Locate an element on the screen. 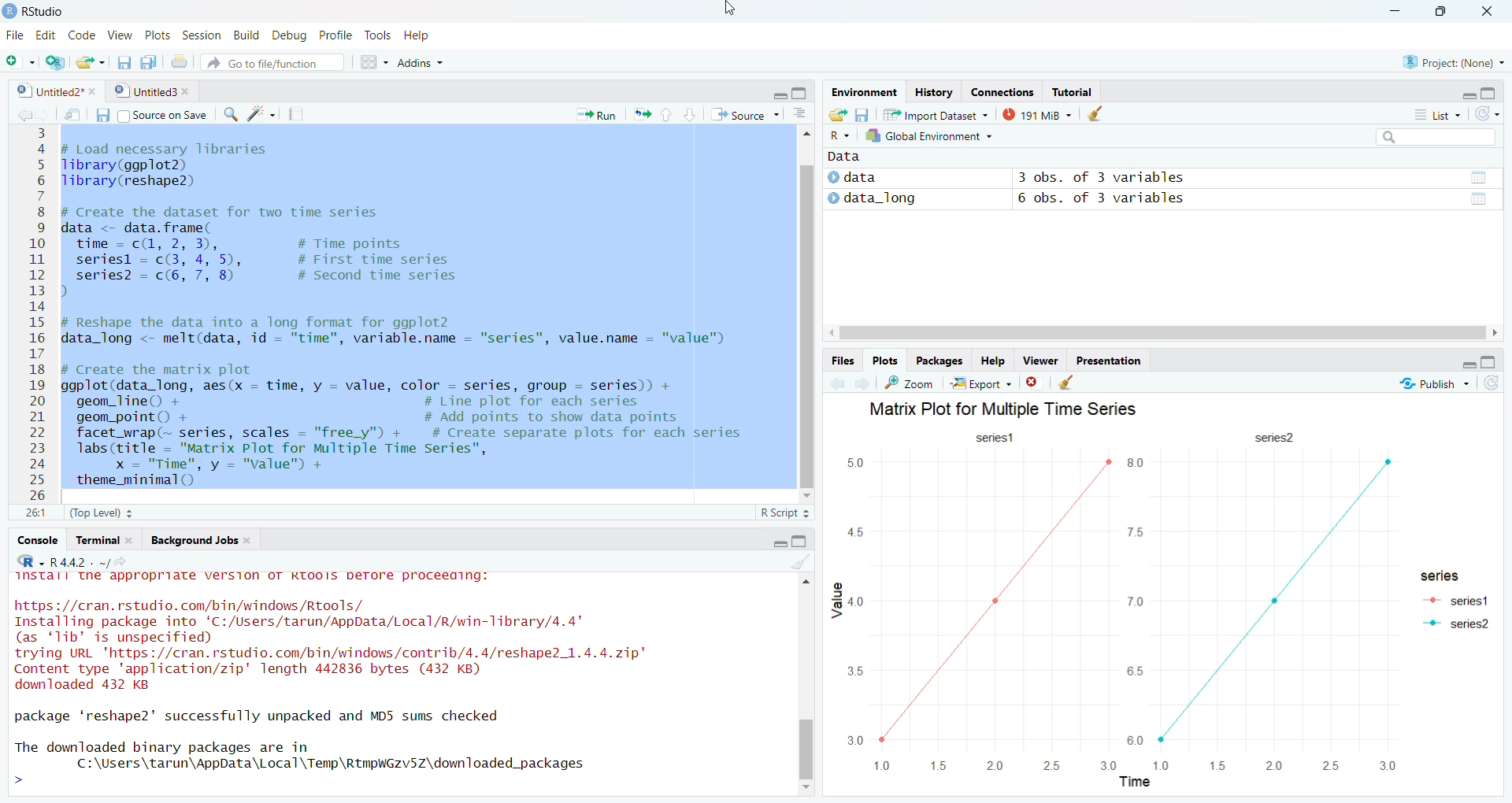 The height and width of the screenshot is (803, 1512). Addins  is located at coordinates (419, 61).